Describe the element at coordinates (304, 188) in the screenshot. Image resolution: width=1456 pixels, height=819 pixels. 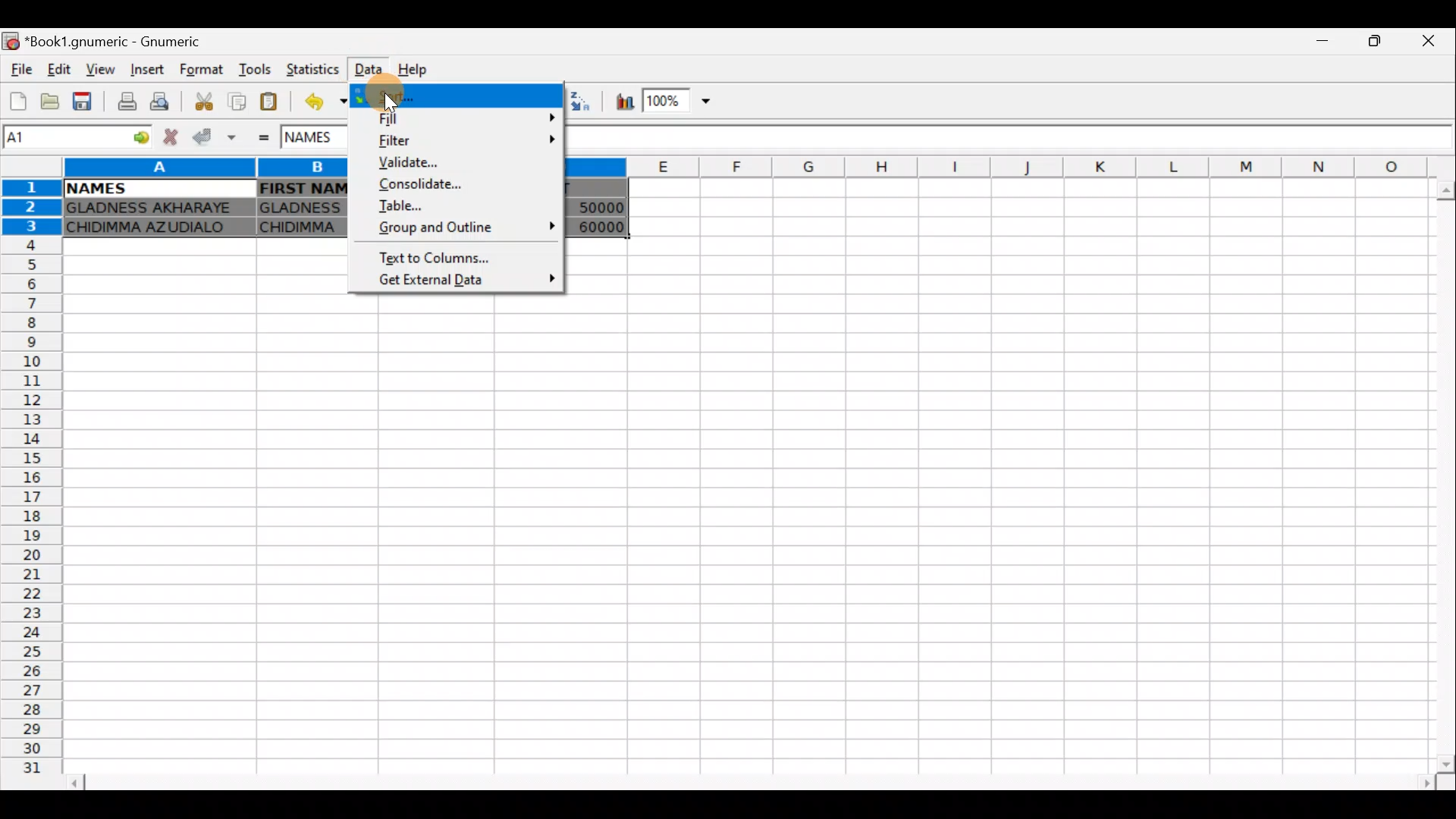
I see `FIRST NAME` at that location.